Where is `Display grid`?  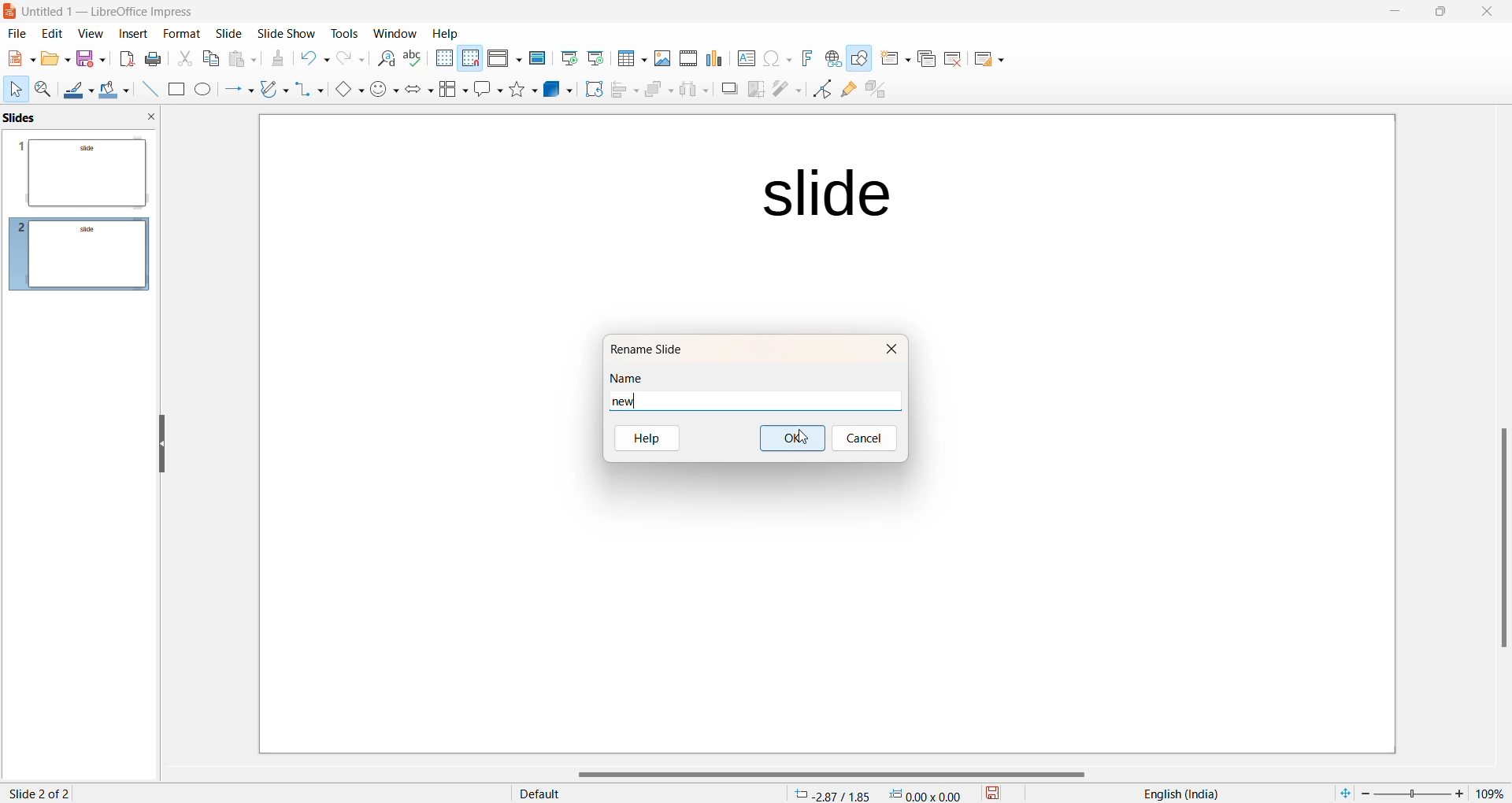
Display grid is located at coordinates (443, 58).